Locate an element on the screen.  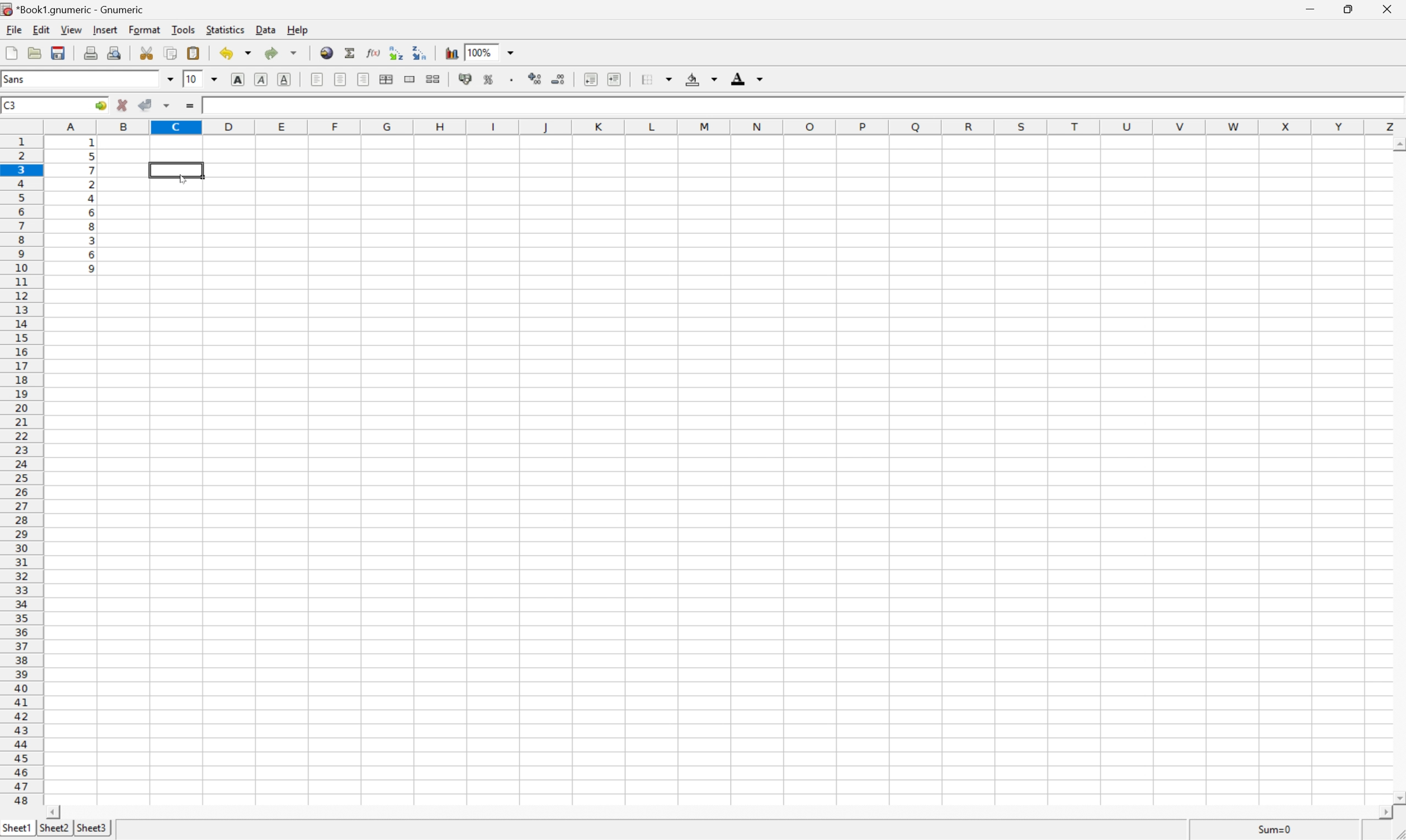
data is located at coordinates (266, 29).